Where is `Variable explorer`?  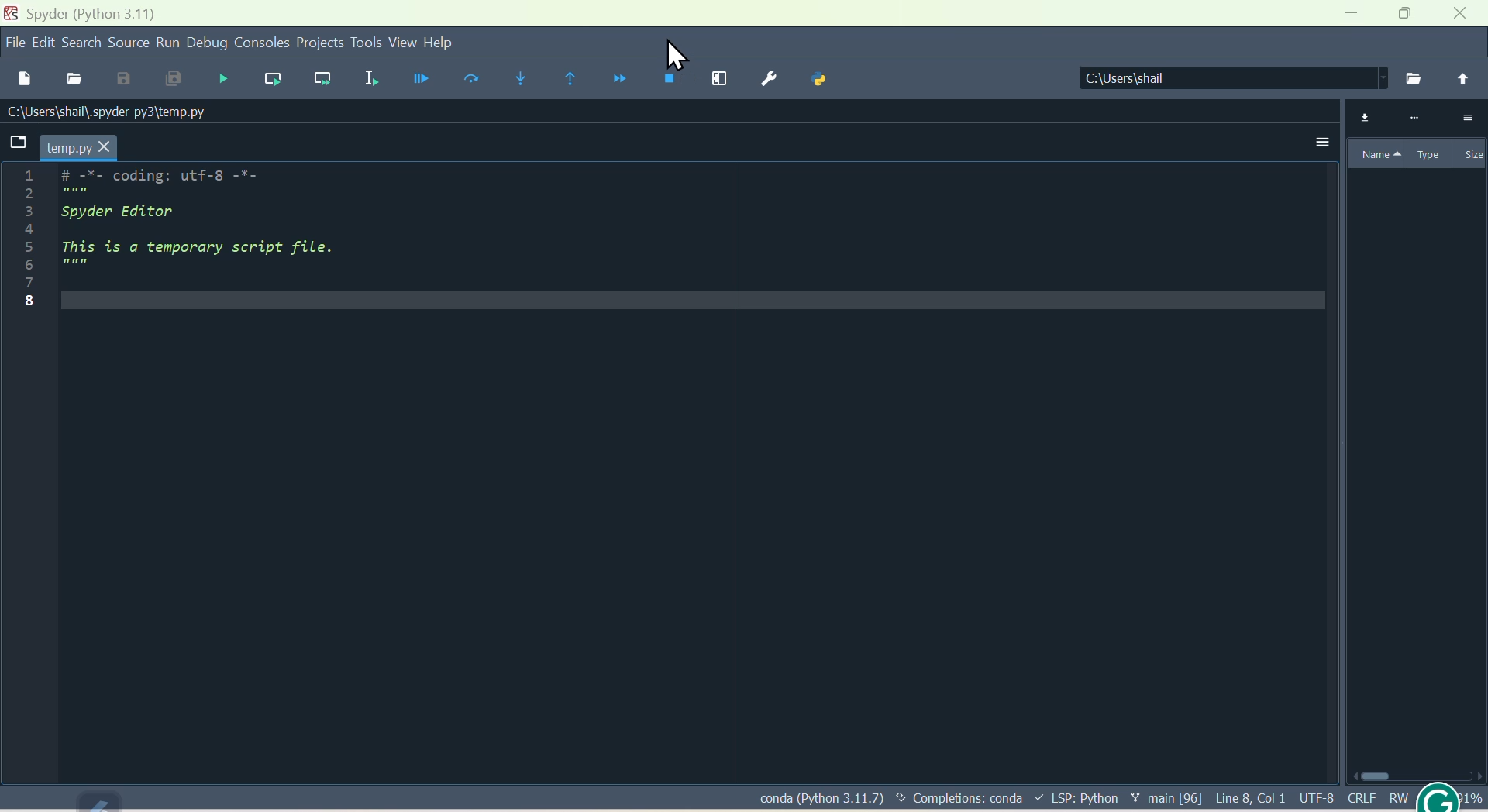 Variable explorer is located at coordinates (1413, 137).